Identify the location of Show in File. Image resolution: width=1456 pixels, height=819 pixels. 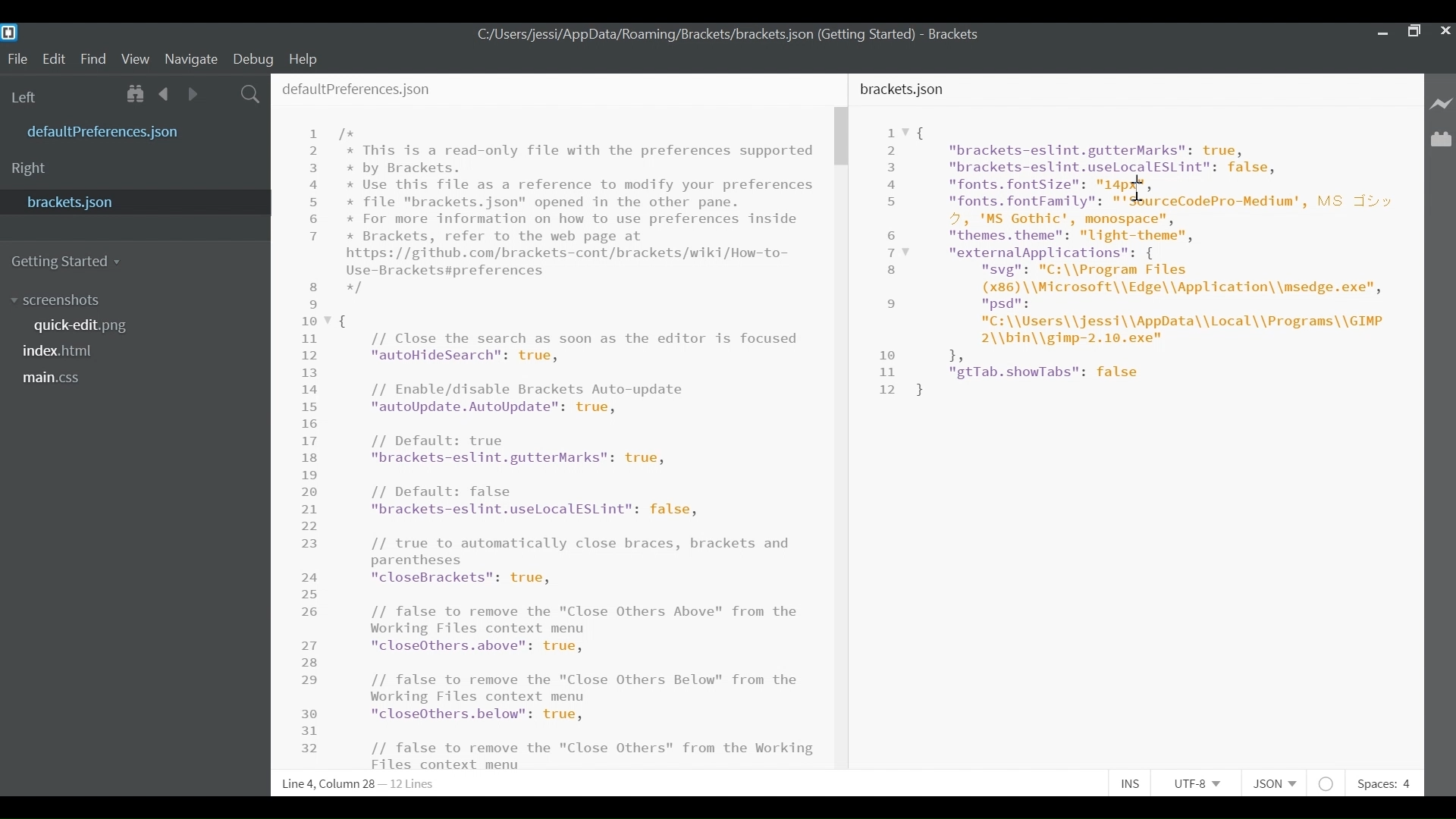
(136, 95).